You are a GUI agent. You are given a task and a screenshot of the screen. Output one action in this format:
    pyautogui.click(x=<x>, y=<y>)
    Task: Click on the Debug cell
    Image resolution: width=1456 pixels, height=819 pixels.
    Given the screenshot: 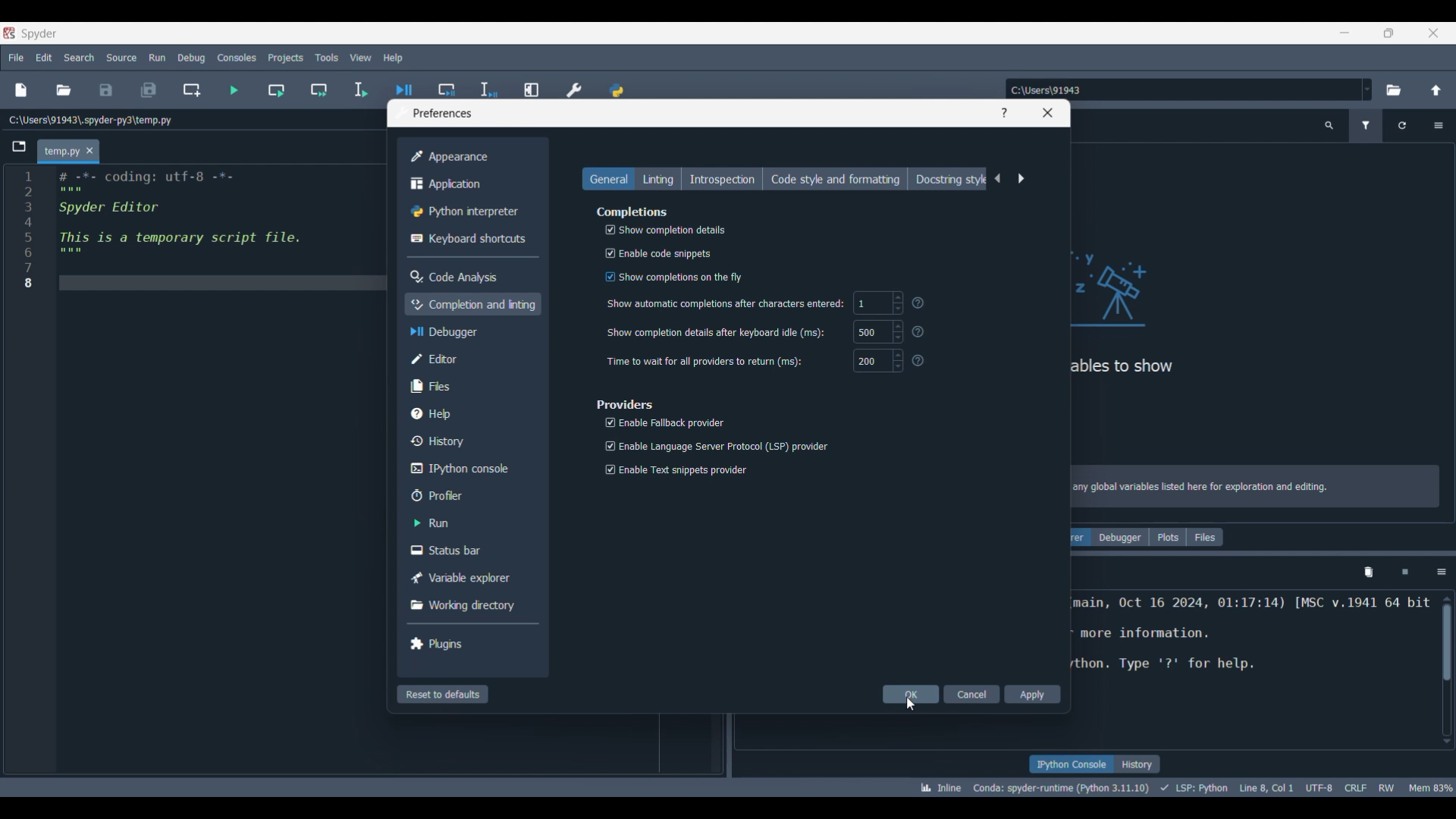 What is the action you would take?
    pyautogui.click(x=447, y=83)
    